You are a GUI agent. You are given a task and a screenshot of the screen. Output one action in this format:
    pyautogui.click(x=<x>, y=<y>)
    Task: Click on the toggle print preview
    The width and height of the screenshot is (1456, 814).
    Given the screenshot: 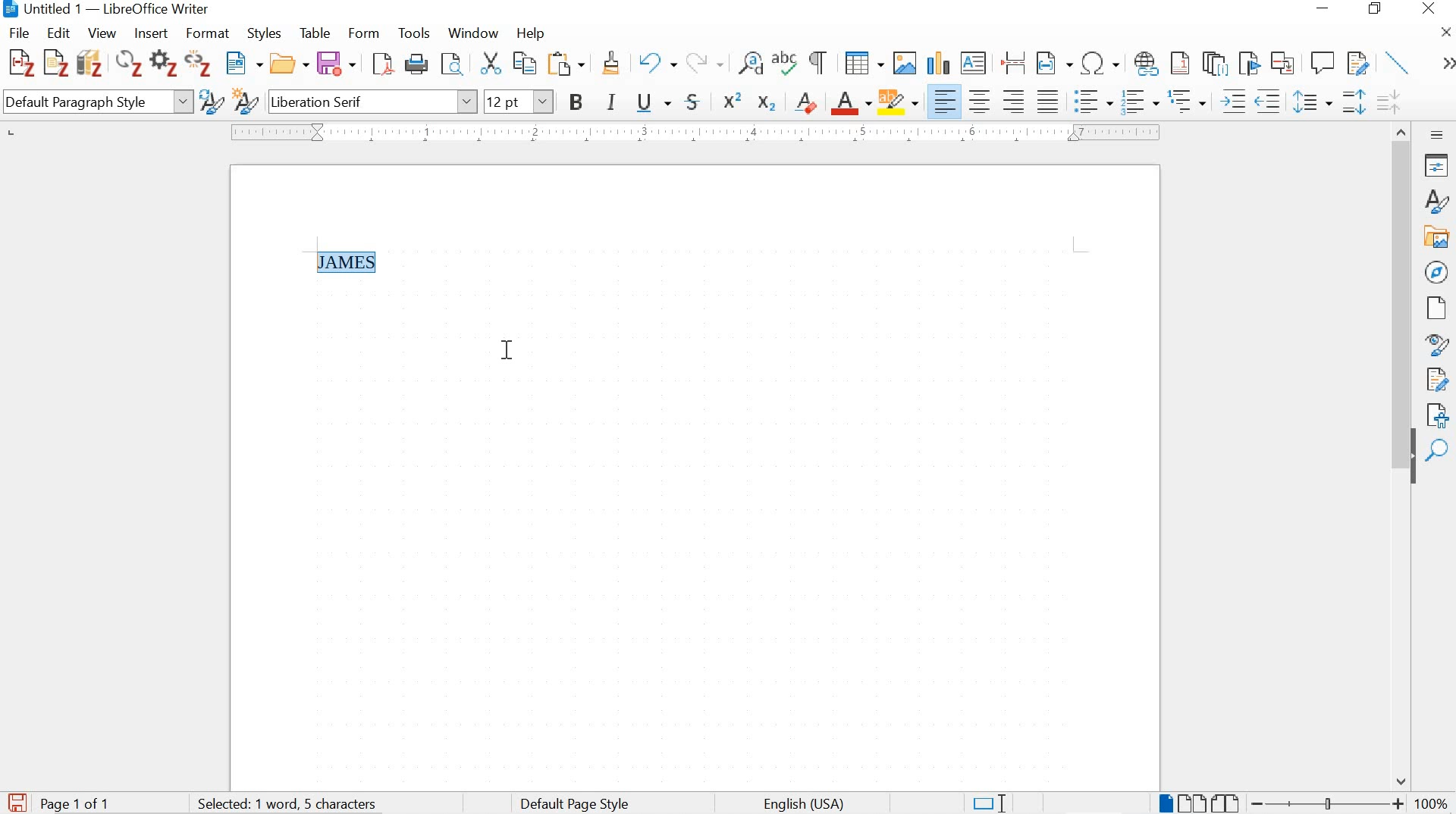 What is the action you would take?
    pyautogui.click(x=451, y=66)
    